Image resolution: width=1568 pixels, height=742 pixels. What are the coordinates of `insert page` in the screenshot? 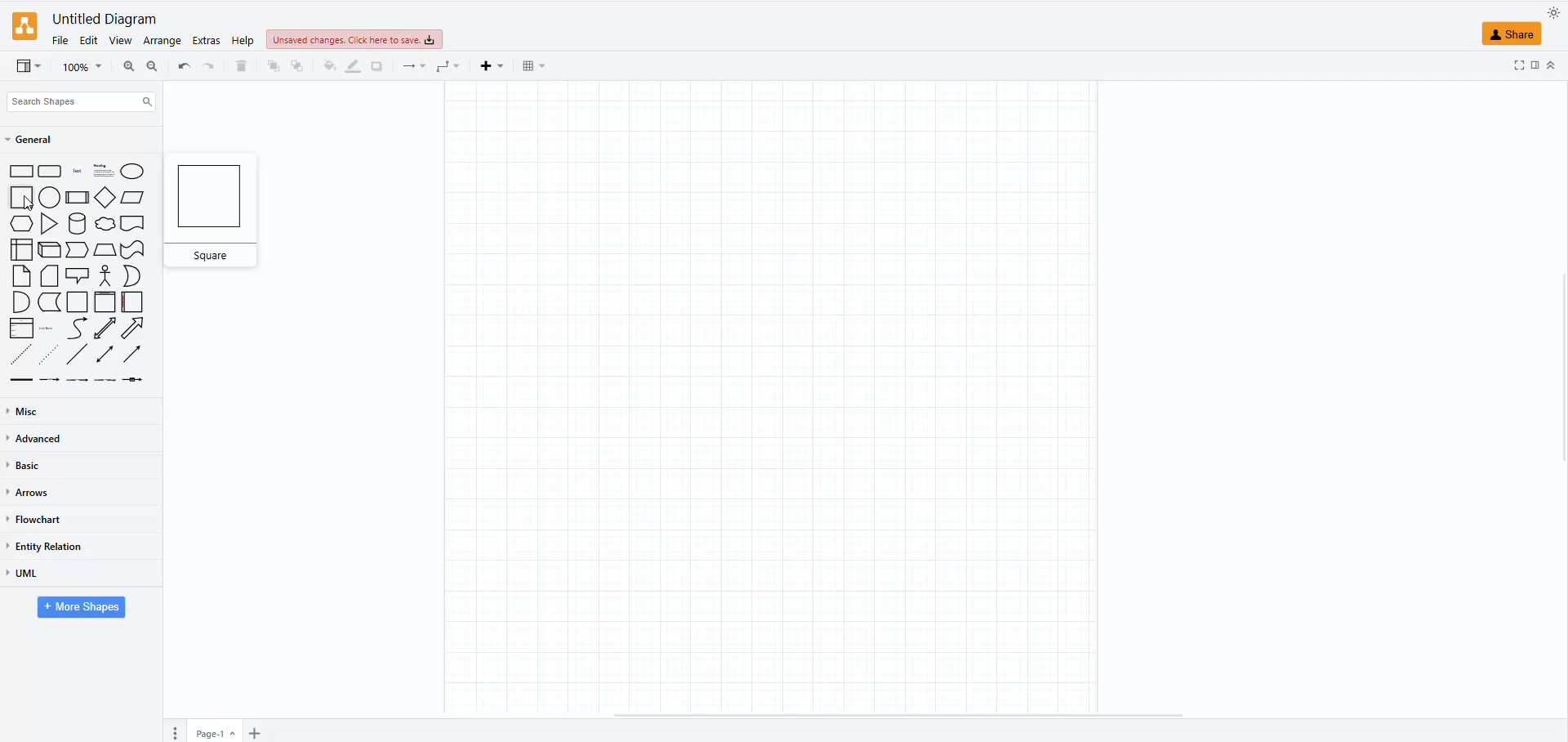 It's located at (253, 733).